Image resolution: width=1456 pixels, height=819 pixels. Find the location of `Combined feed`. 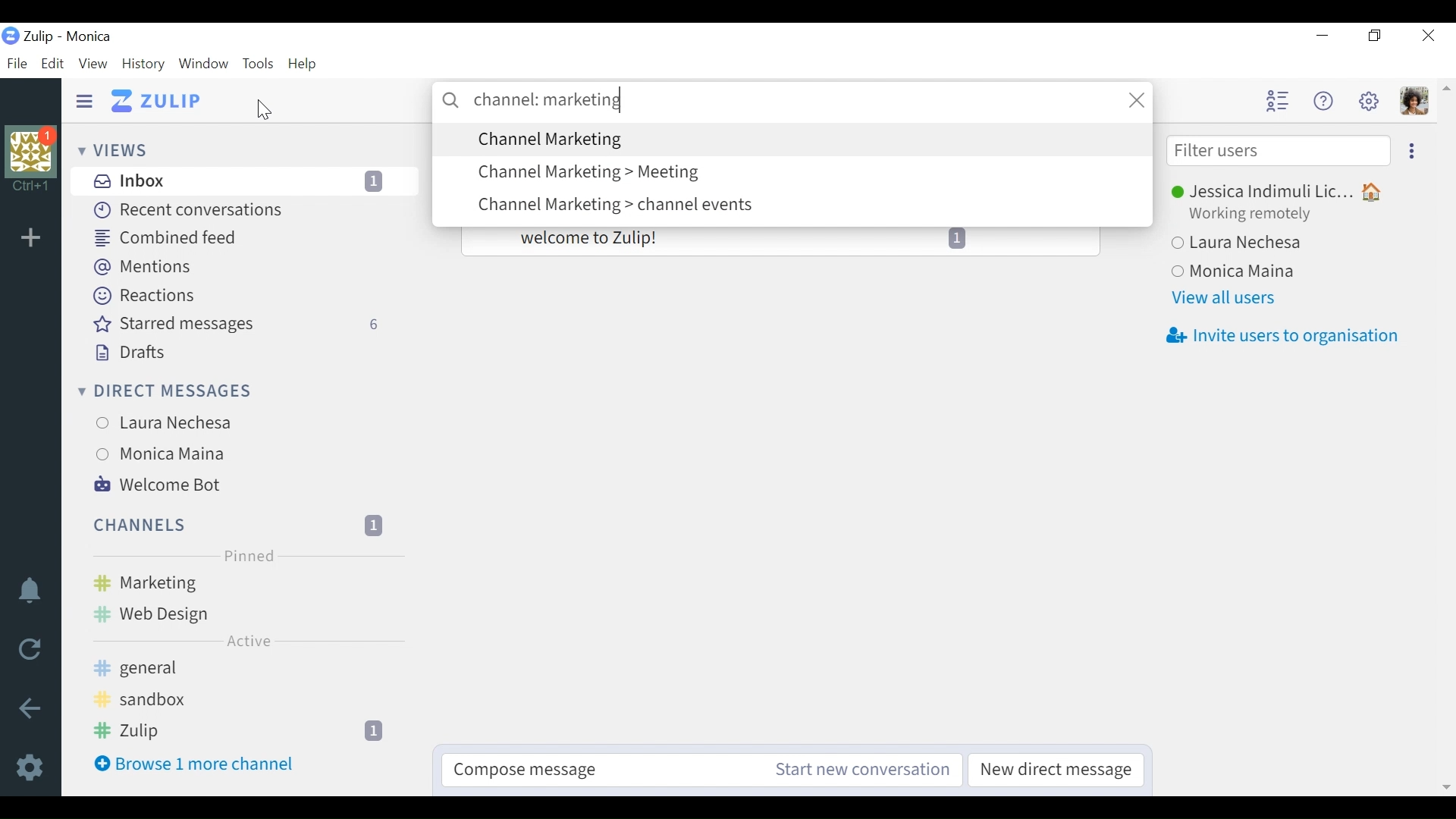

Combined feed is located at coordinates (165, 239).